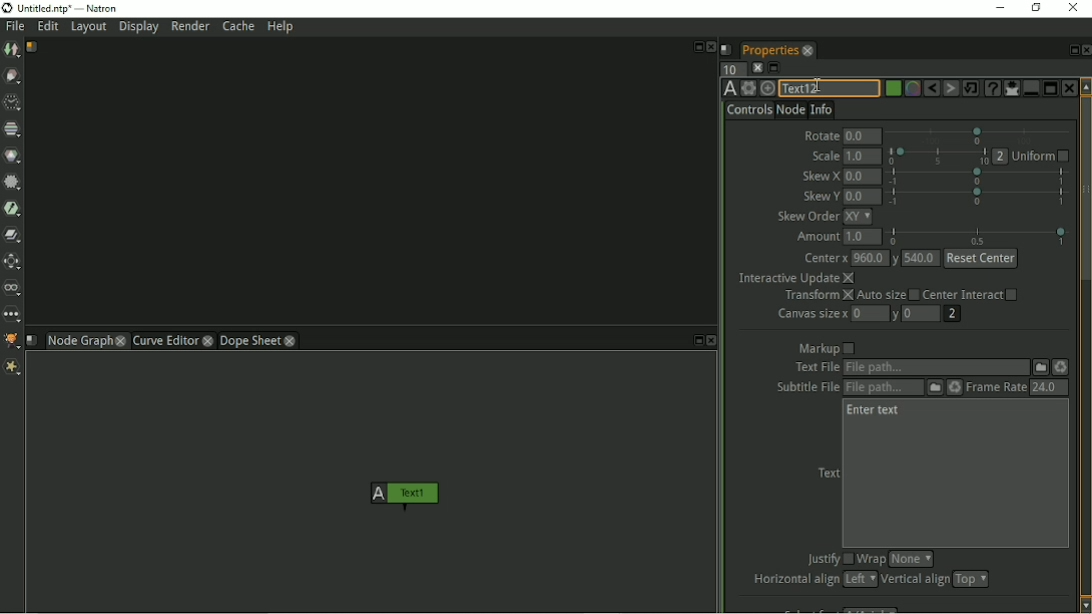 The image size is (1092, 614). I want to click on Filter, so click(13, 185).